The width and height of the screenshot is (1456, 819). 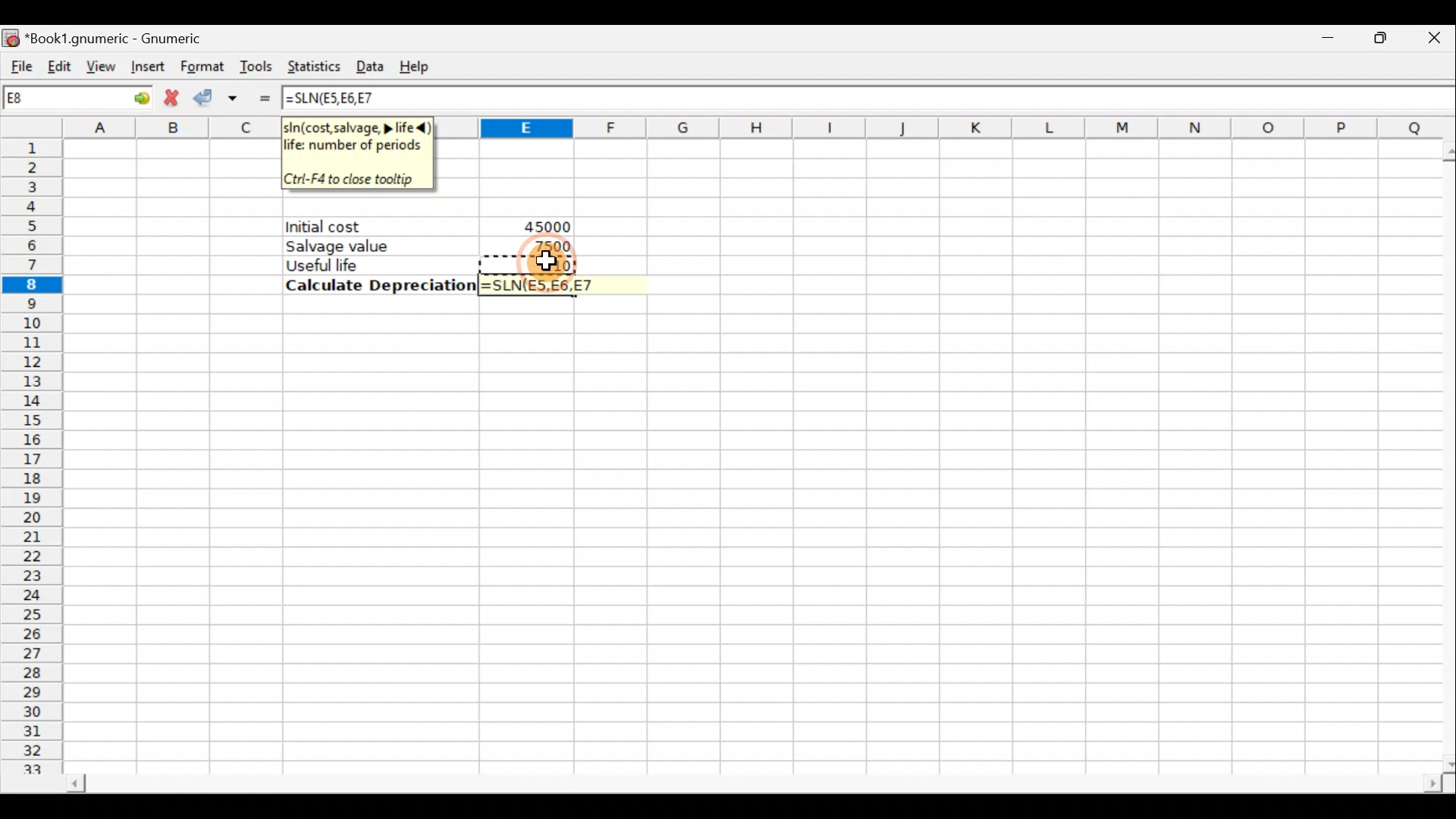 I want to click on Maximize, so click(x=1373, y=41).